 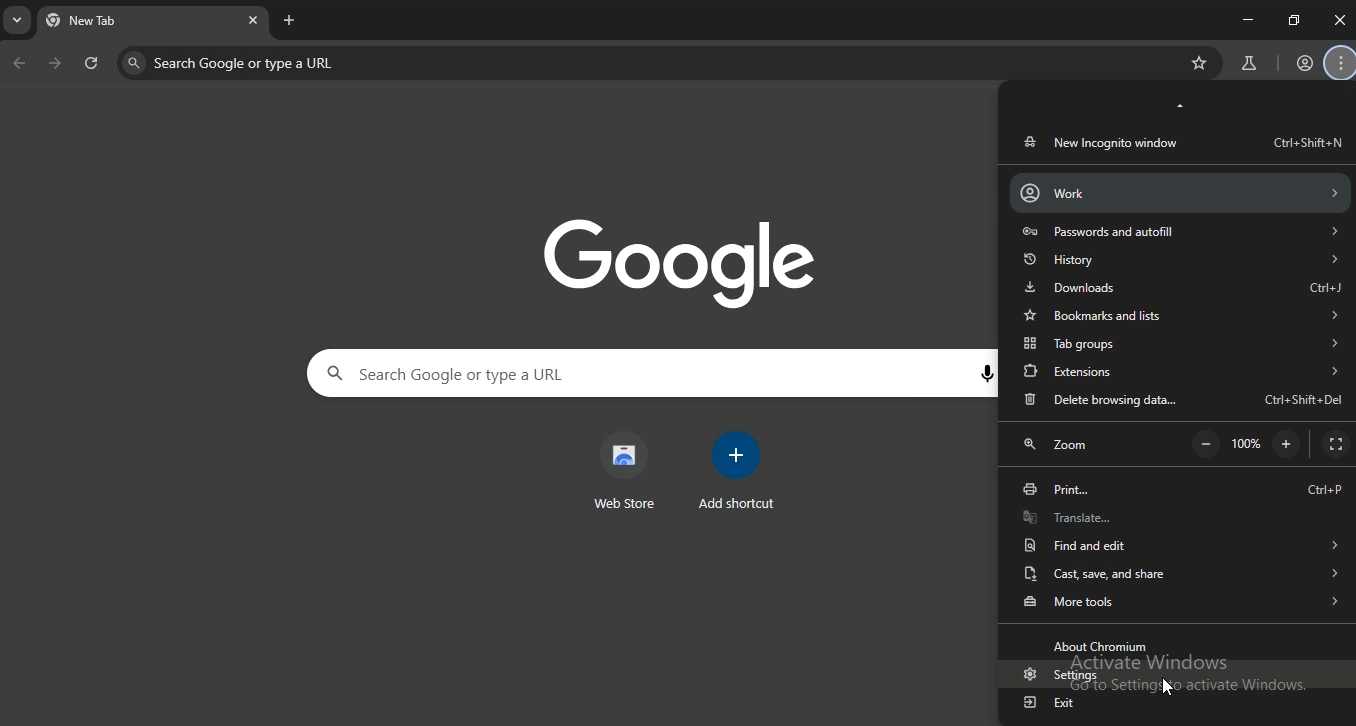 What do you see at coordinates (1169, 688) in the screenshot?
I see `cursor` at bounding box center [1169, 688].